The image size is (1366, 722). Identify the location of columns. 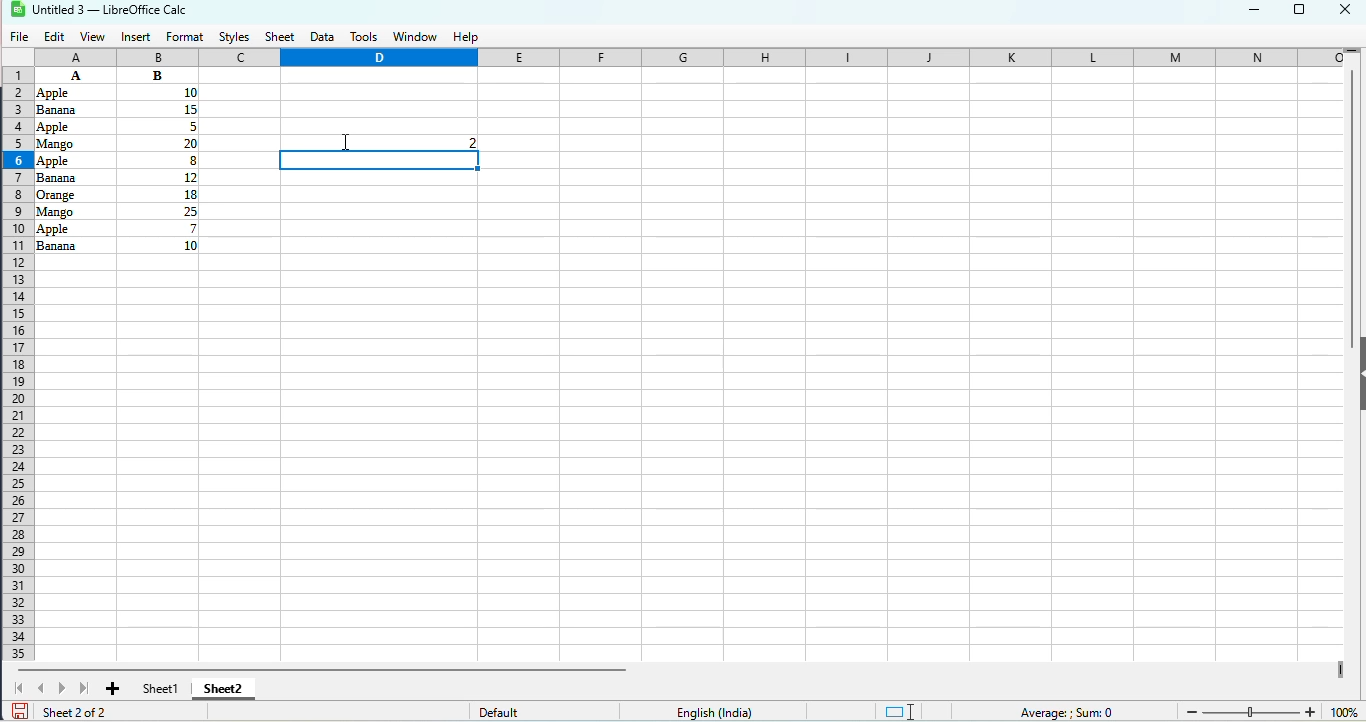
(692, 57).